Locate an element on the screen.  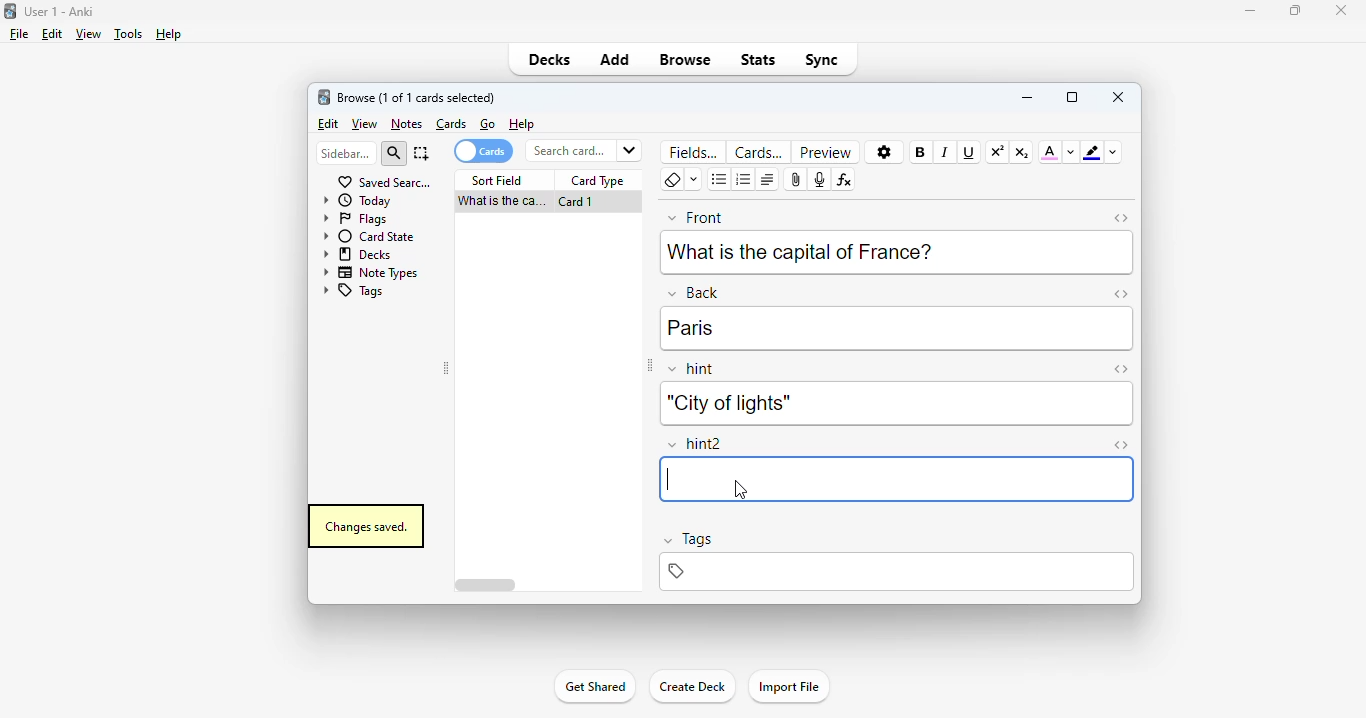
cards is located at coordinates (452, 124).